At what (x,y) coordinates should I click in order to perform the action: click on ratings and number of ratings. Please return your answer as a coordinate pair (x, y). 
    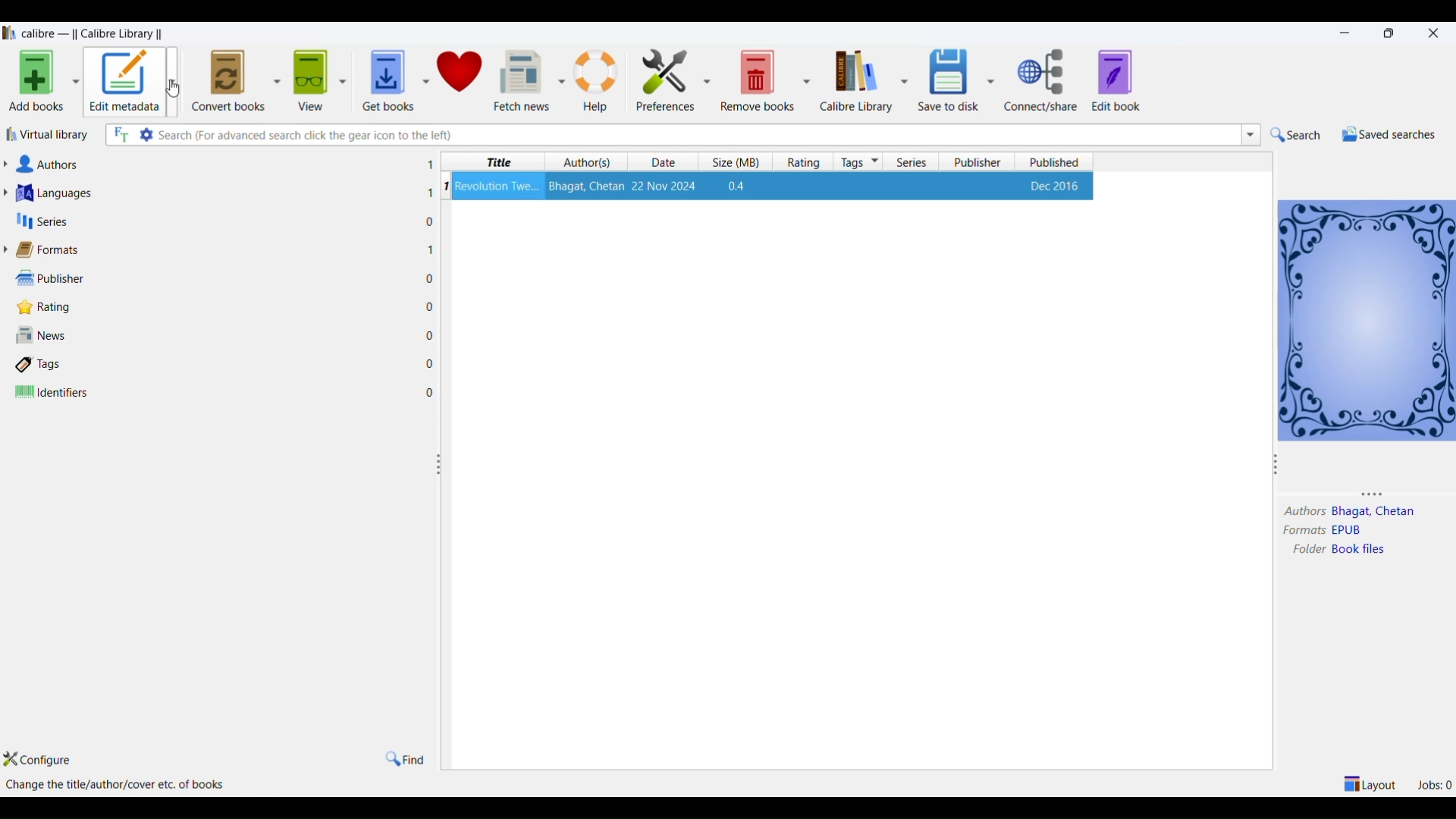
    Looking at the image, I should click on (49, 306).